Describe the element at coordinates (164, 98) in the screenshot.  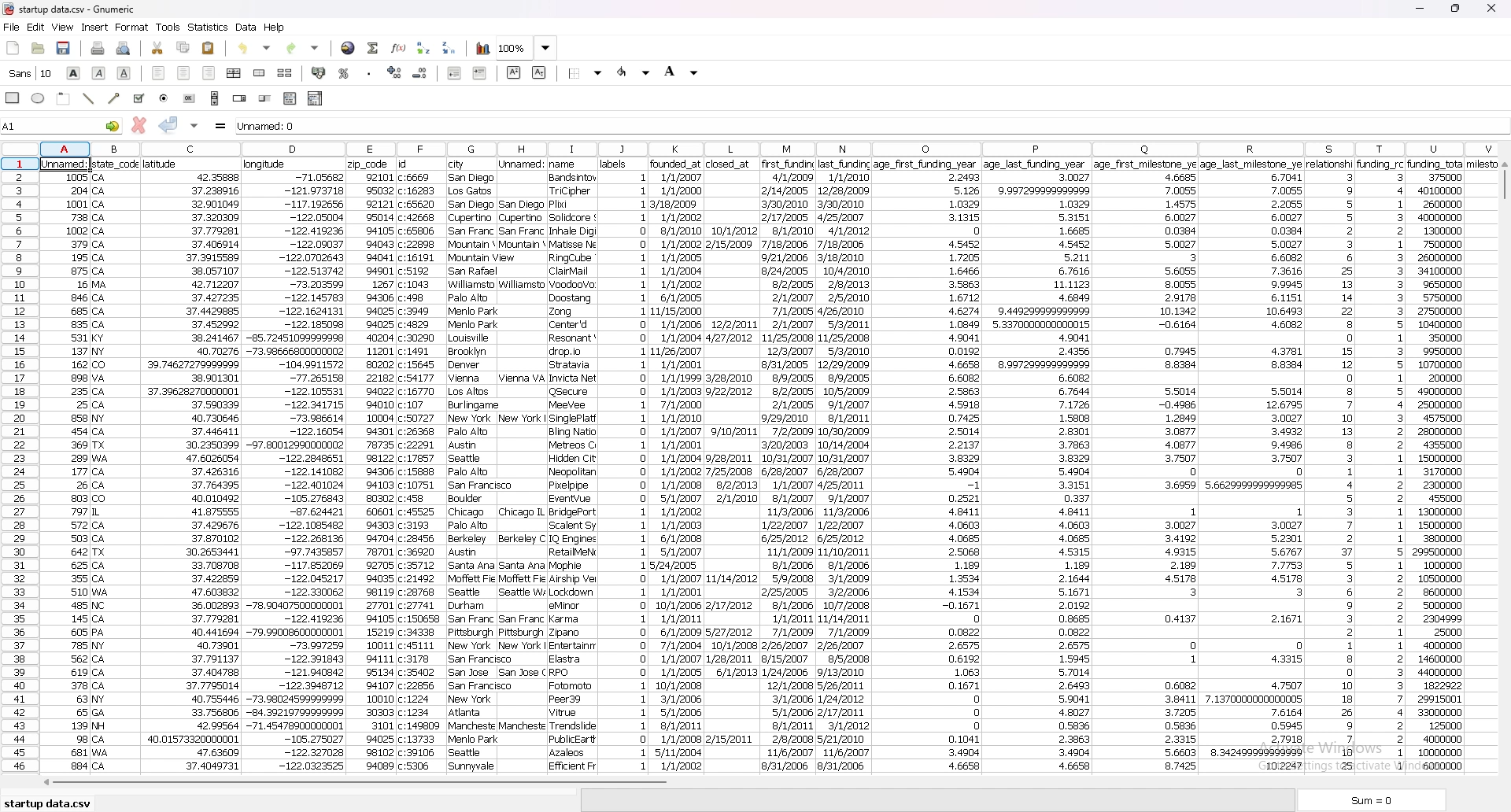
I see `radio button` at that location.